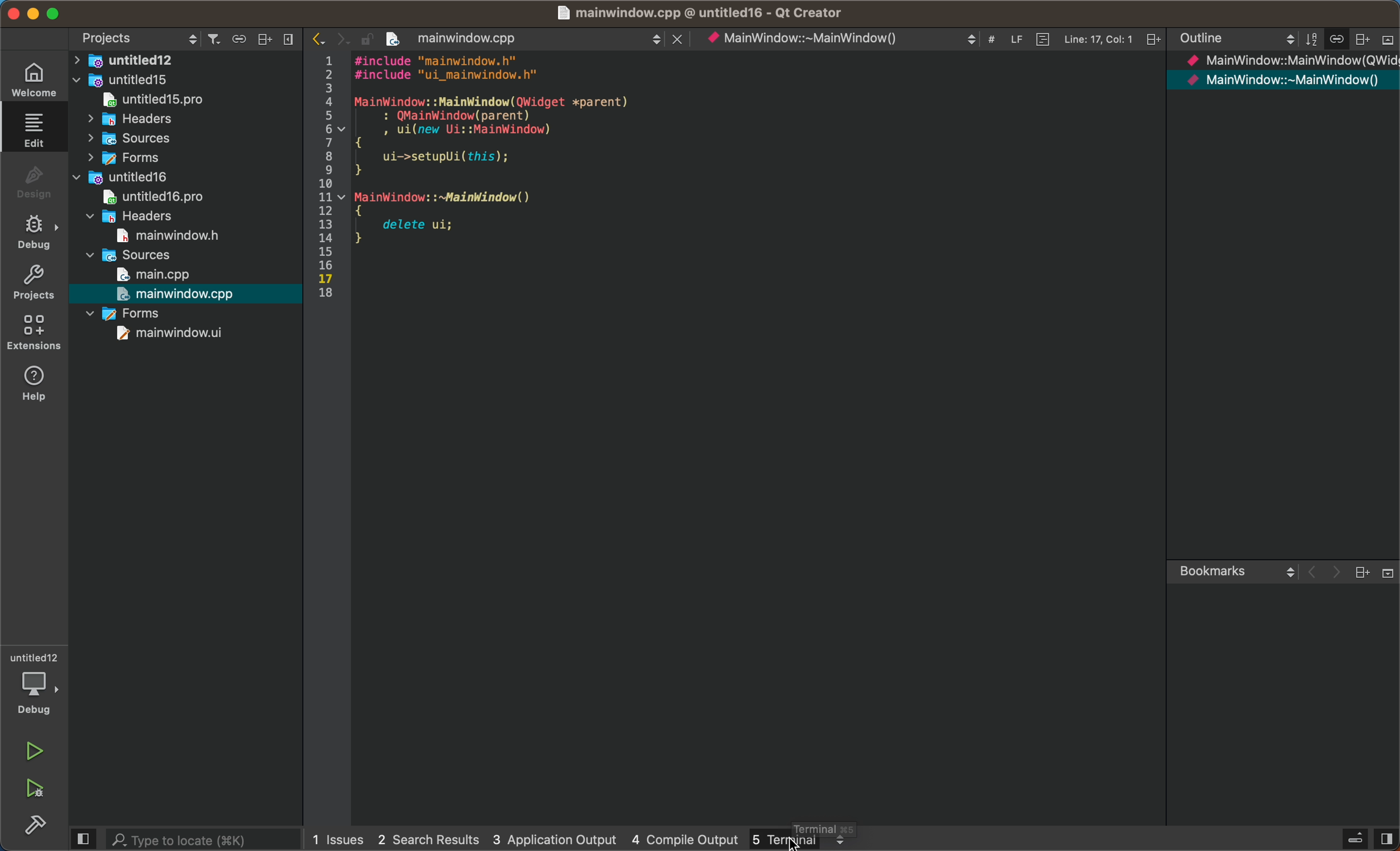  What do you see at coordinates (510, 151) in the screenshot?
I see `Code block for main window` at bounding box center [510, 151].